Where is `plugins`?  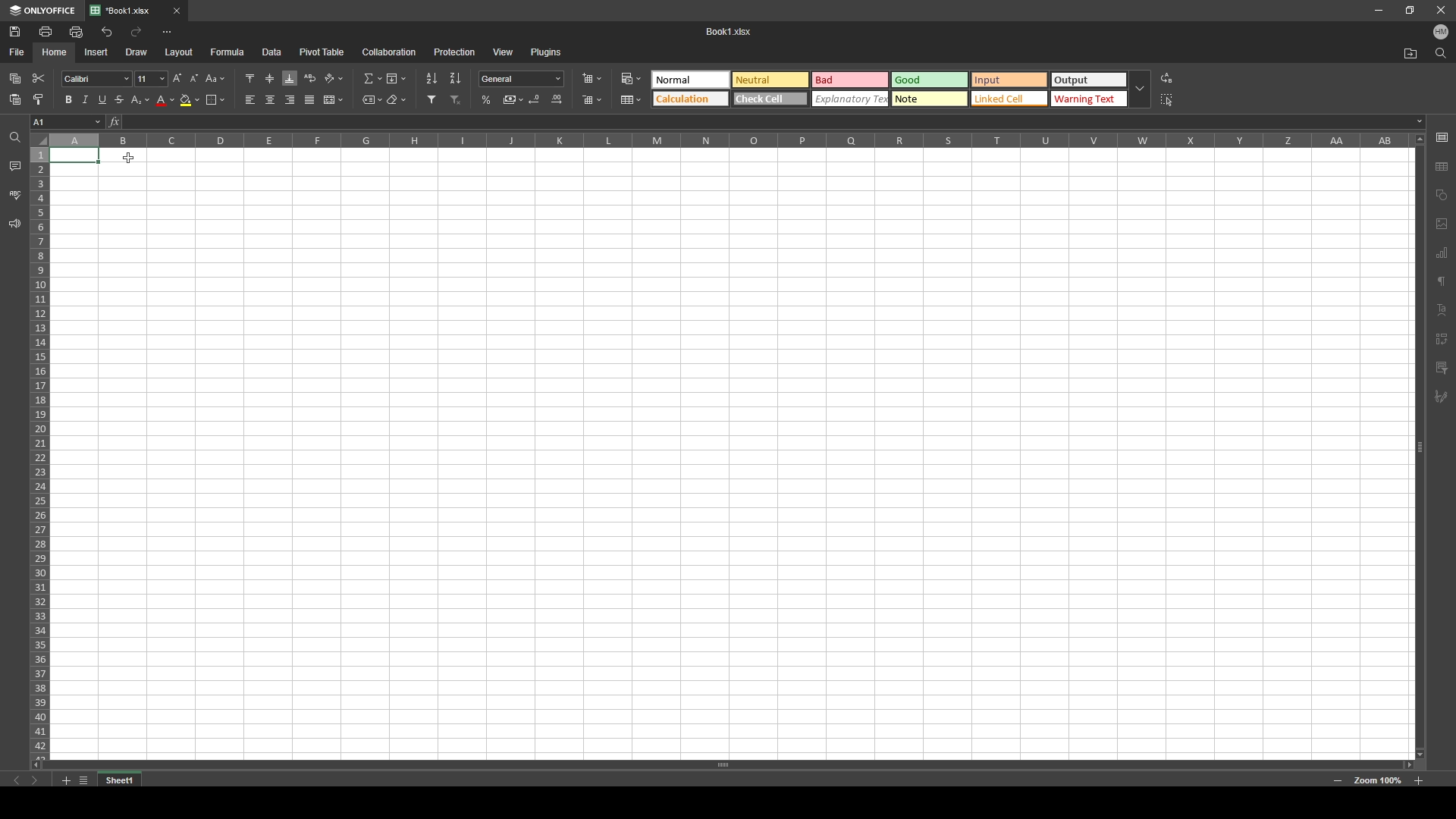
plugins is located at coordinates (545, 52).